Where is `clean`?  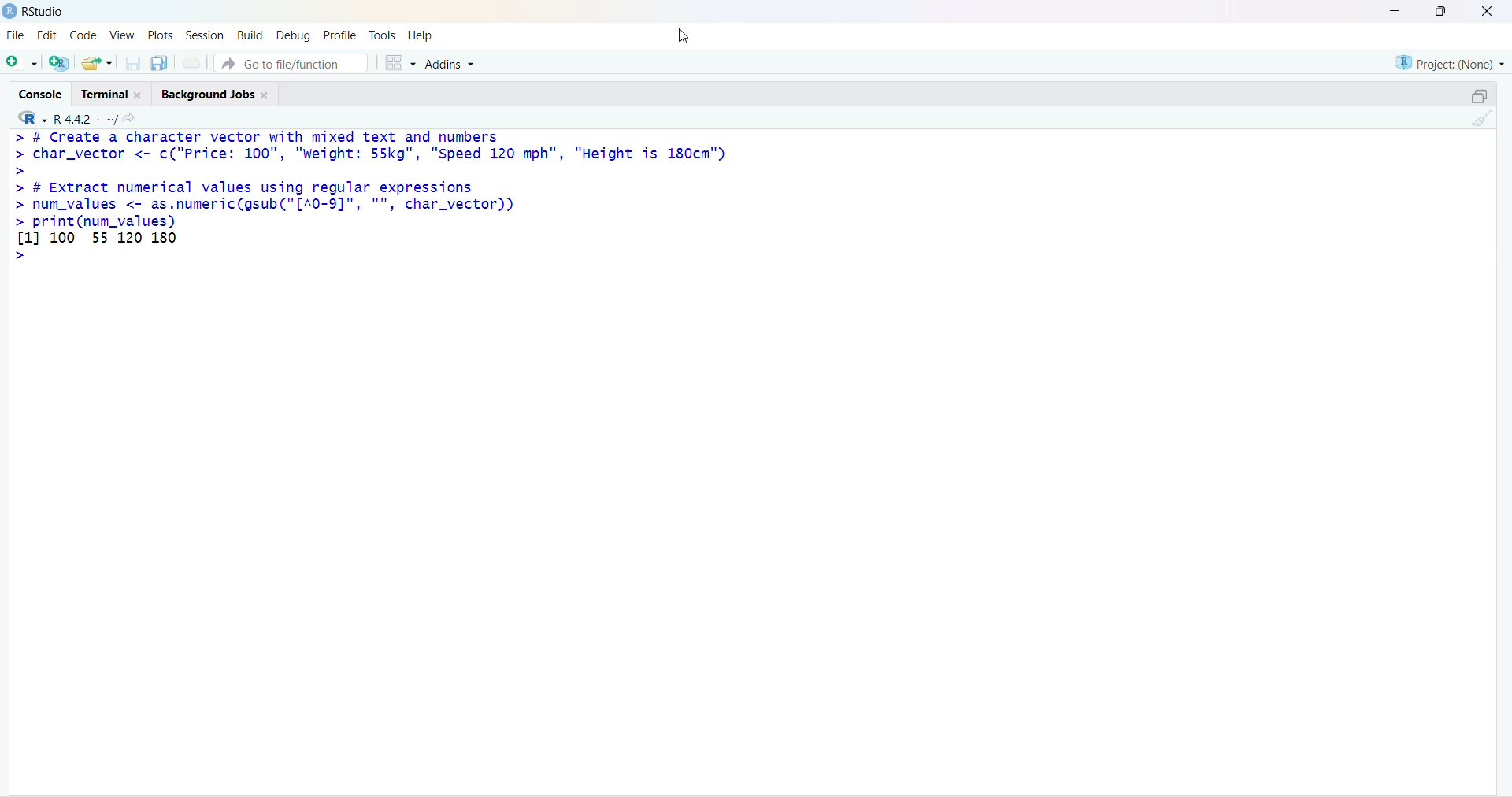 clean is located at coordinates (1482, 117).